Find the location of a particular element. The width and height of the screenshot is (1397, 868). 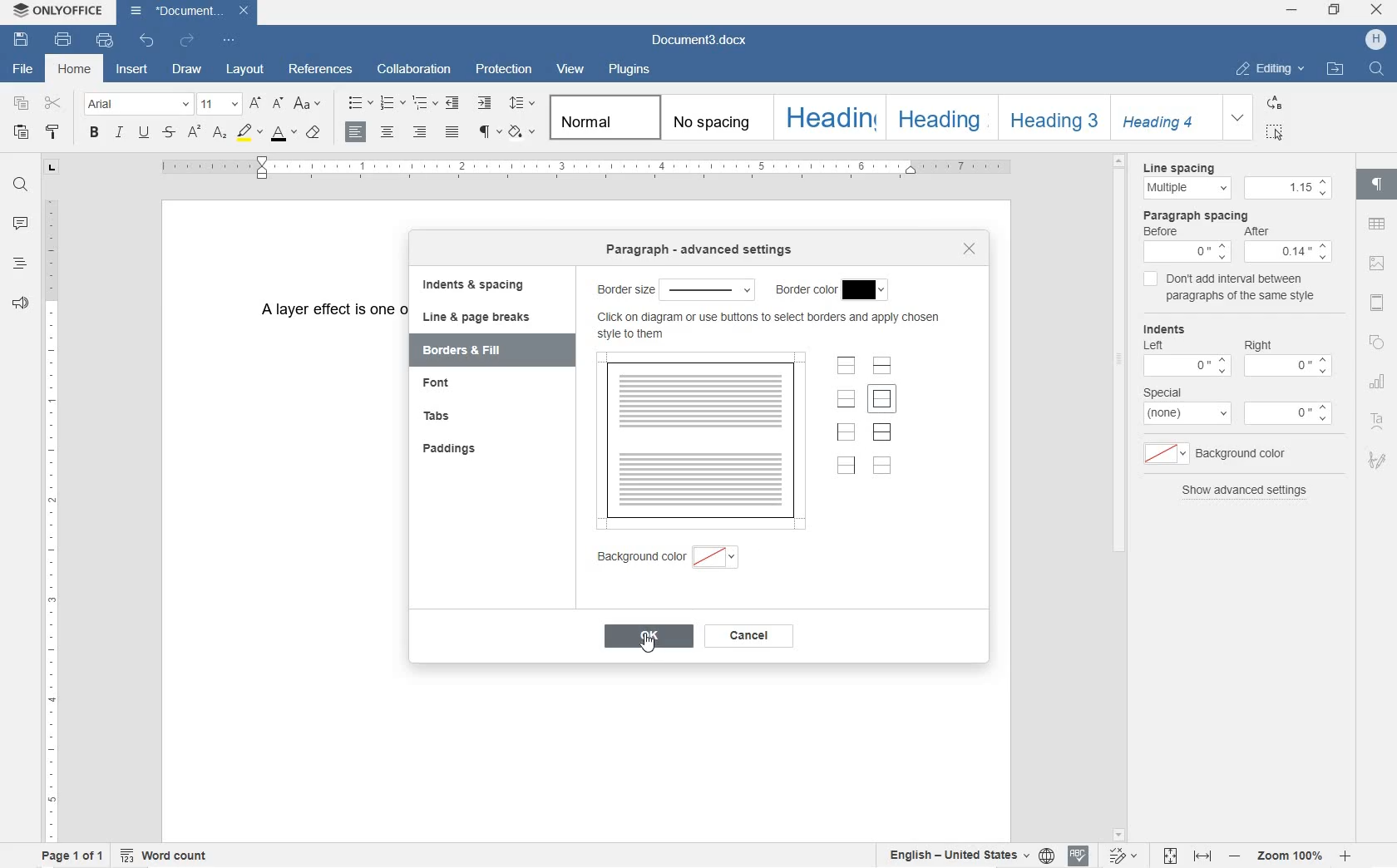

BULLET is located at coordinates (358, 104).